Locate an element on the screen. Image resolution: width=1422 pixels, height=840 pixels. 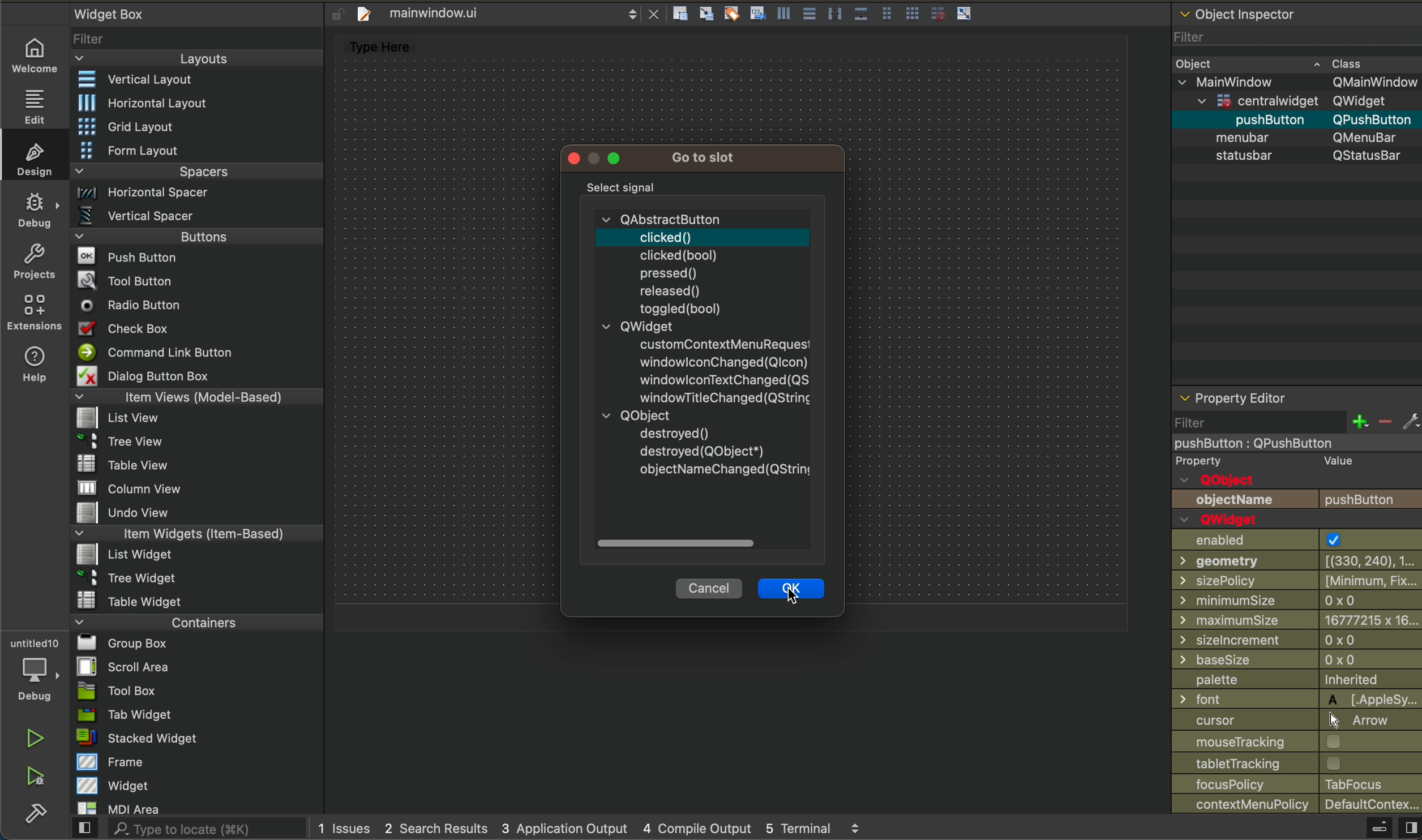
widget box is located at coordinates (112, 13).